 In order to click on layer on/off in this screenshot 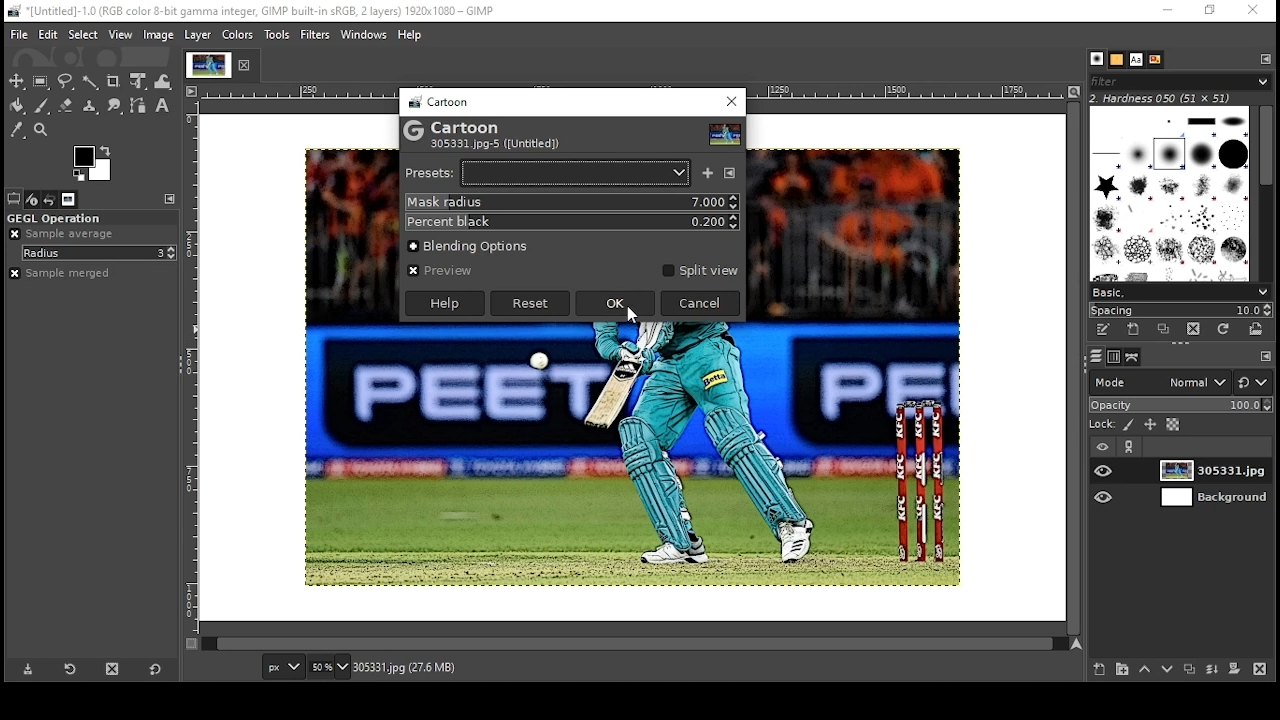, I will do `click(1106, 473)`.